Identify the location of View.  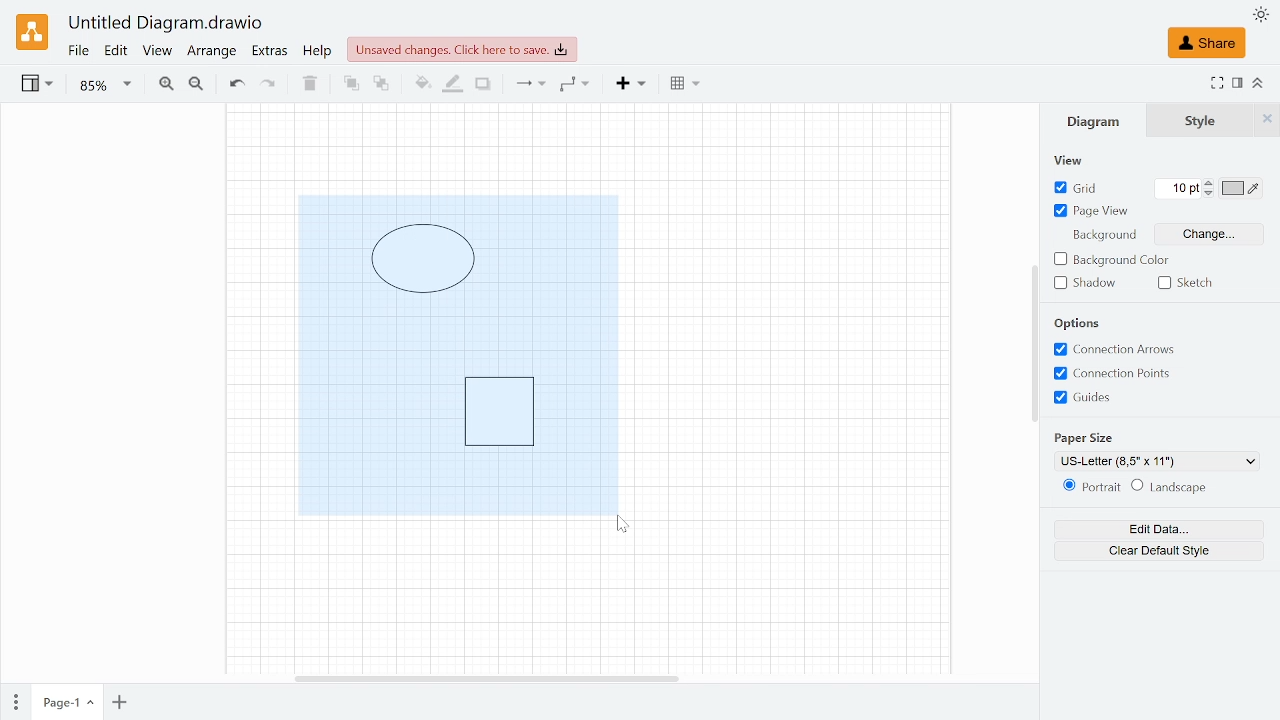
(158, 53).